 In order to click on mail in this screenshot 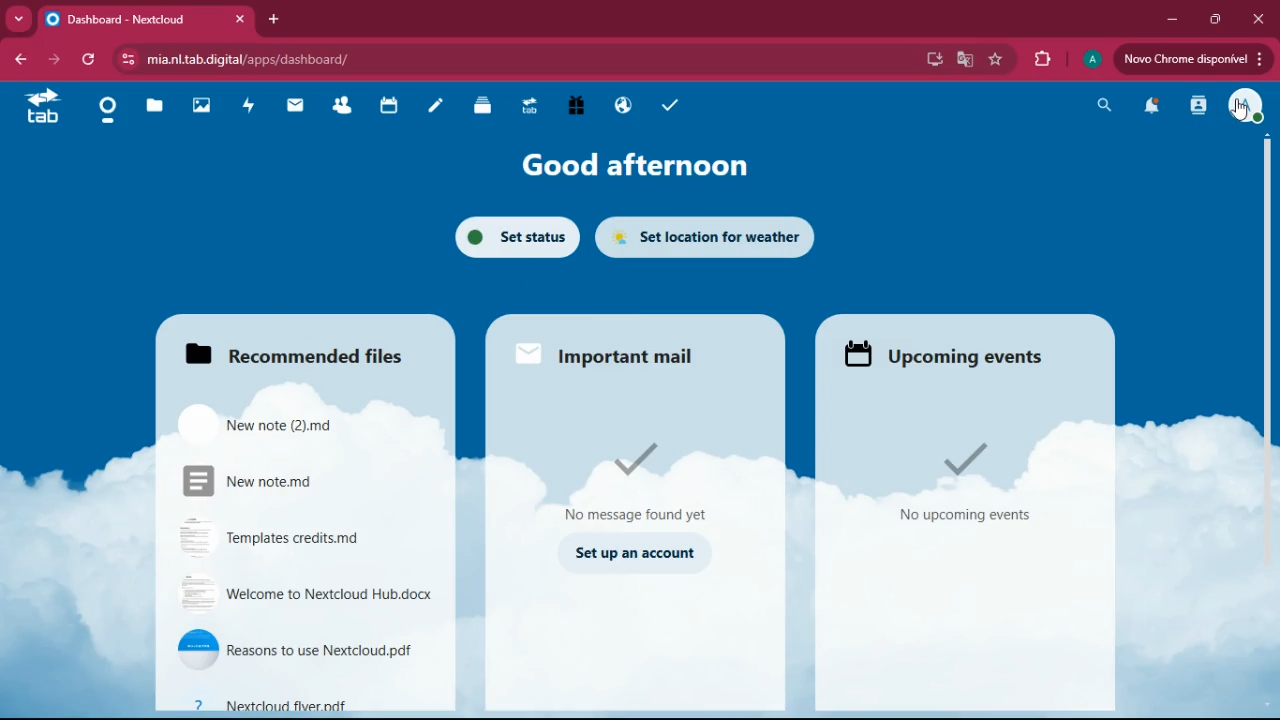, I will do `click(606, 352)`.